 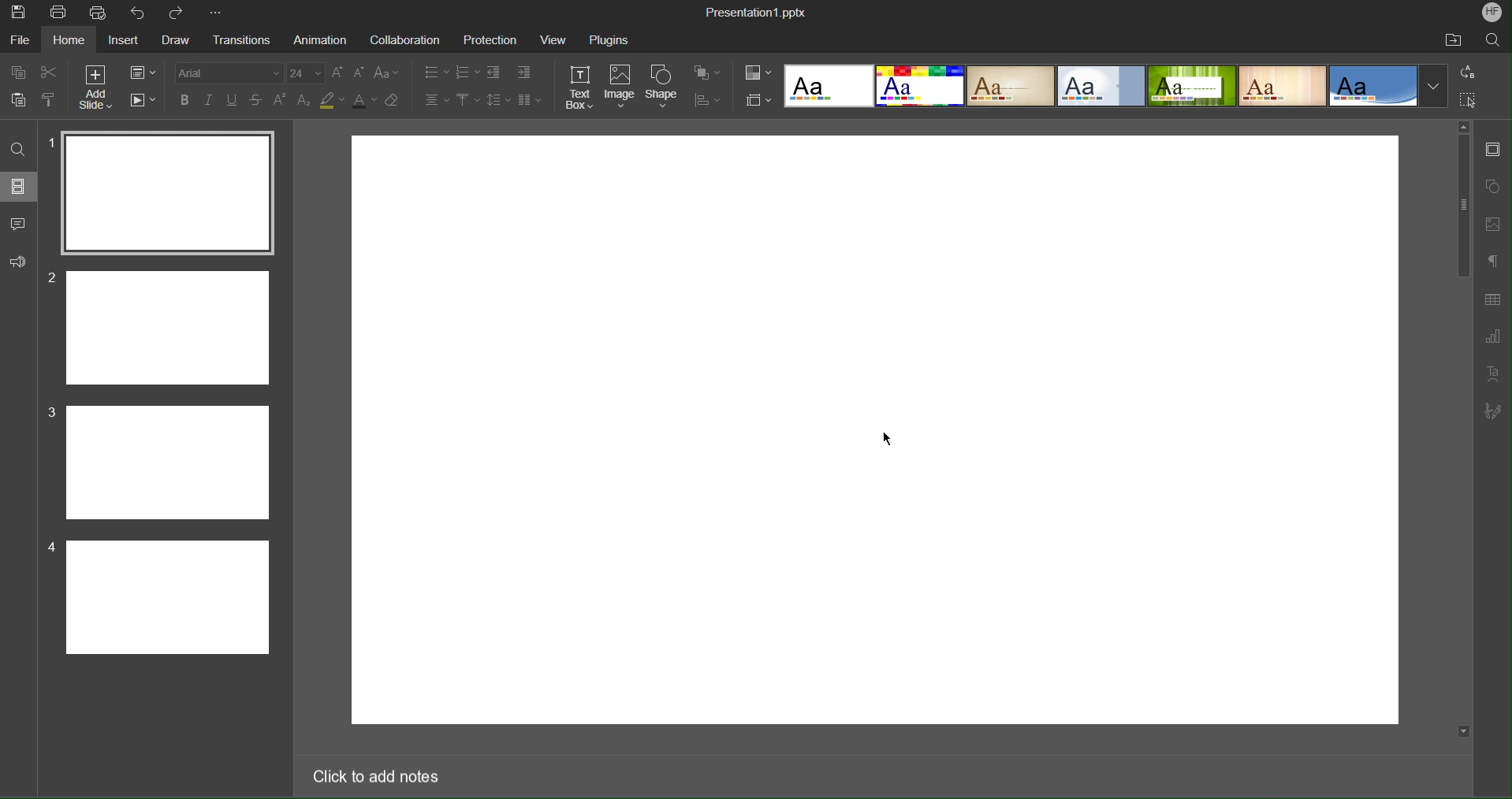 What do you see at coordinates (891, 437) in the screenshot?
I see `mouse pointer` at bounding box center [891, 437].